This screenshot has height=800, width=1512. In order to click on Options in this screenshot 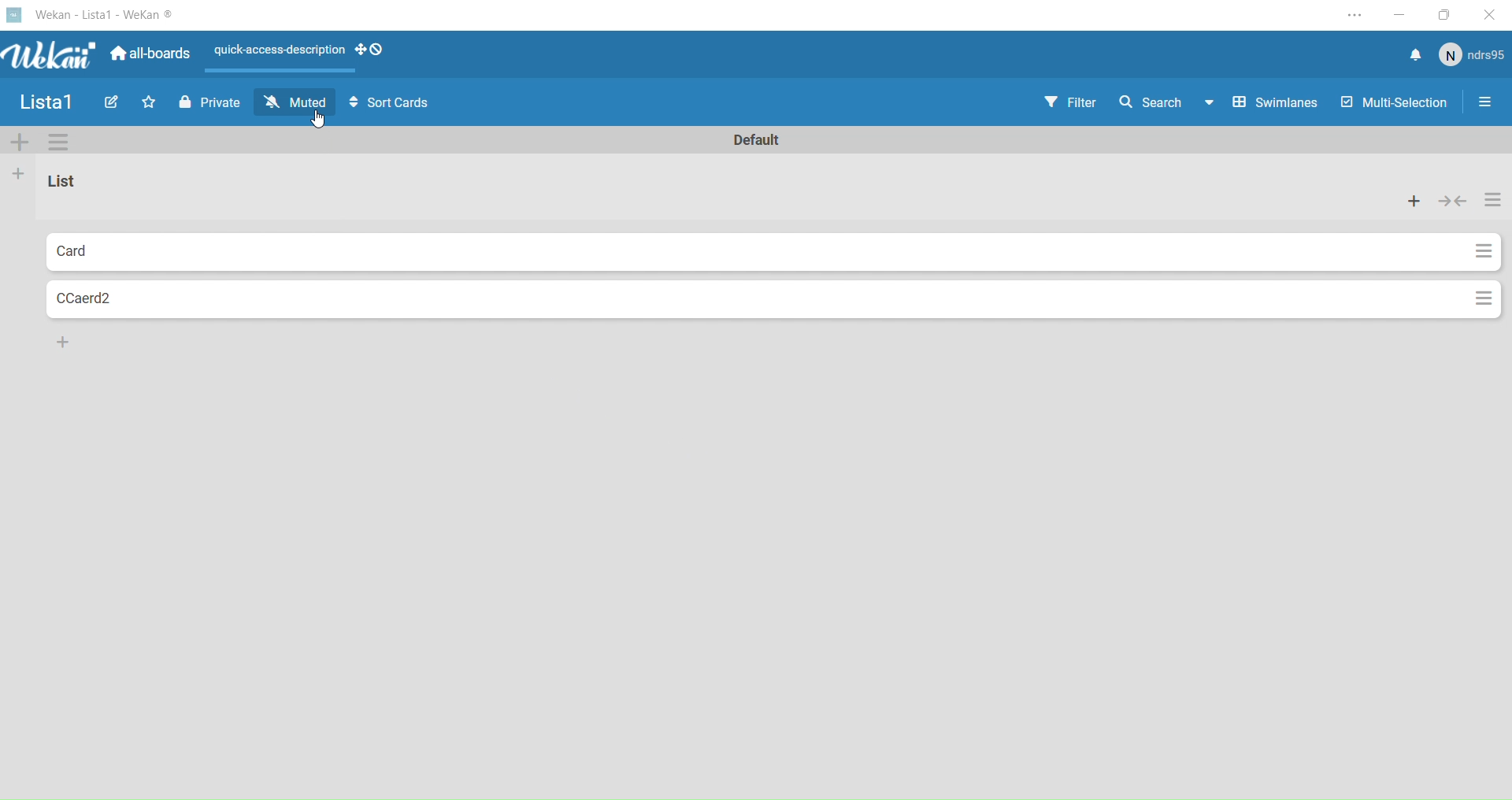, I will do `click(1473, 251)`.